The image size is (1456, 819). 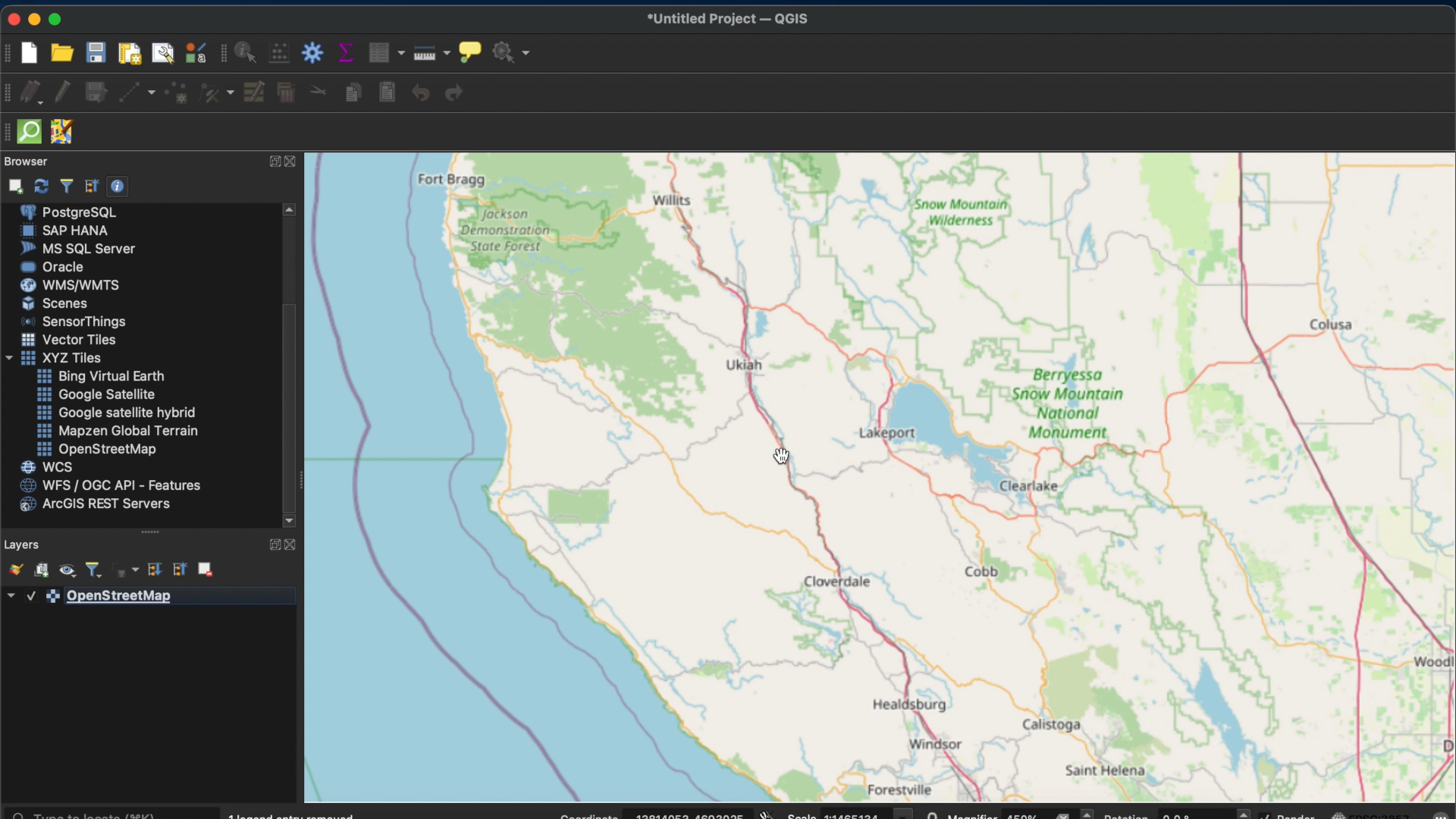 What do you see at coordinates (99, 376) in the screenshot?
I see `bing virtual earth` at bounding box center [99, 376].